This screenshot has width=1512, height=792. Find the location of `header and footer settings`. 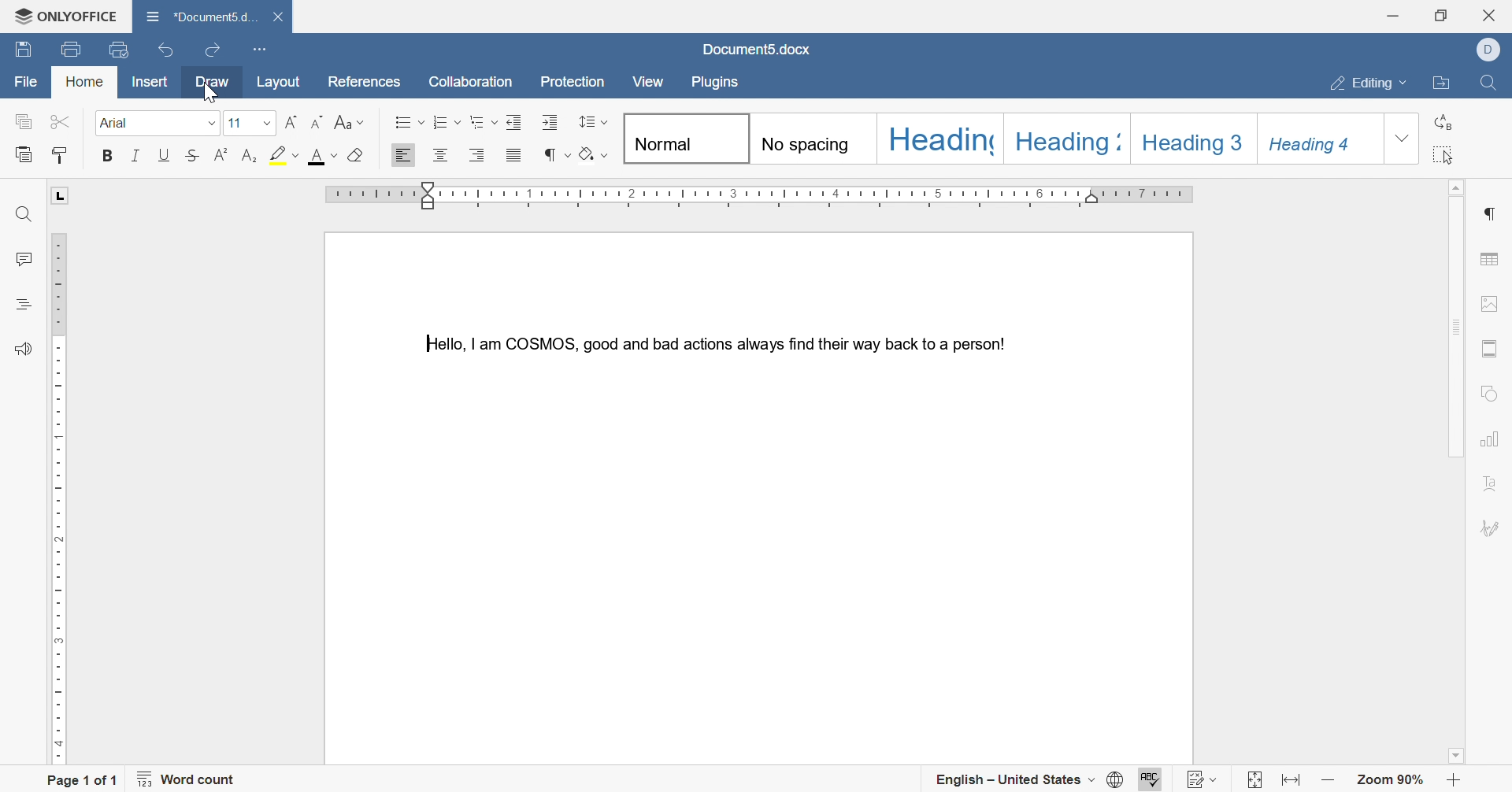

header and footer settings is located at coordinates (1489, 350).